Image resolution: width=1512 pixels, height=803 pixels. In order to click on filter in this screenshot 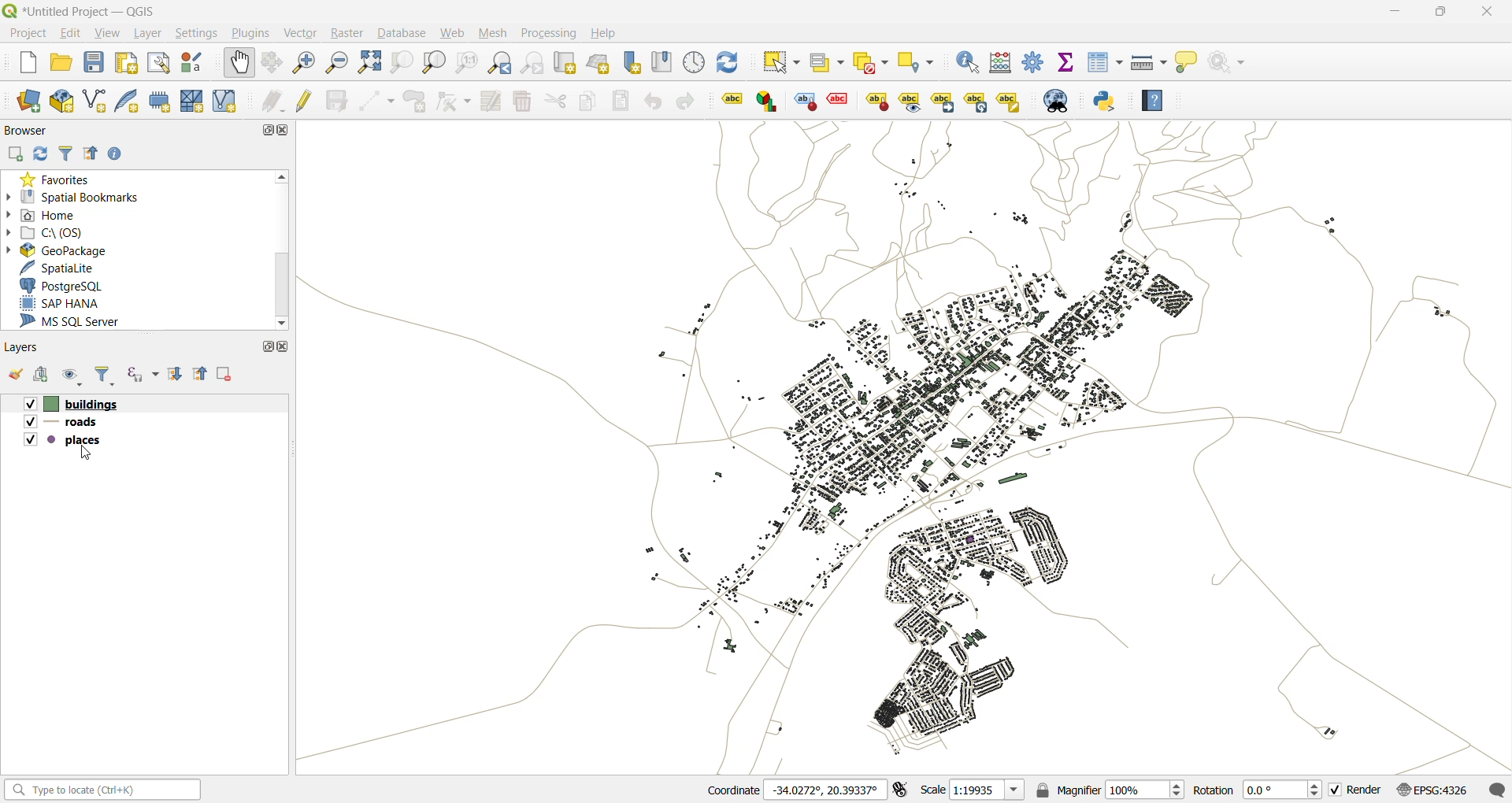, I will do `click(65, 152)`.